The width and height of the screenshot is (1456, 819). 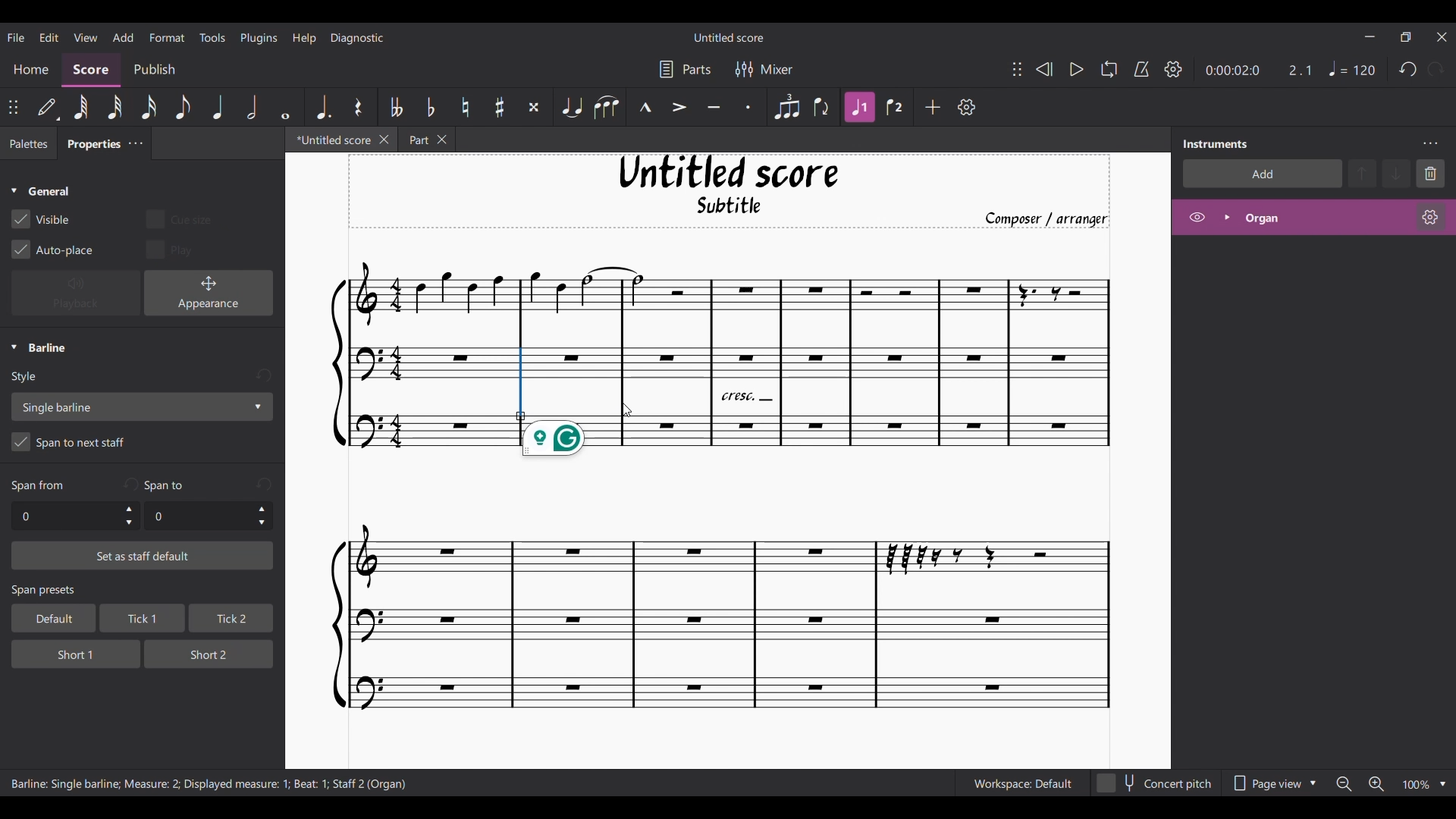 I want to click on Publish section, so click(x=154, y=70).